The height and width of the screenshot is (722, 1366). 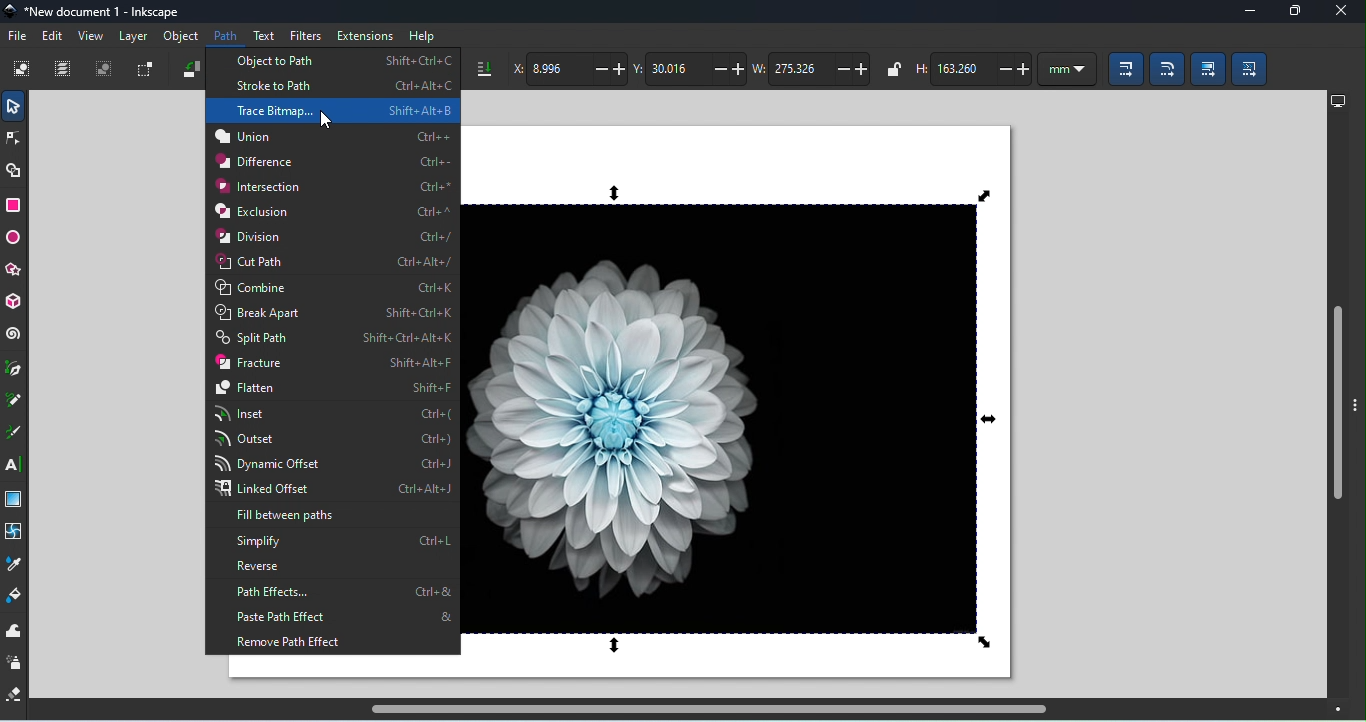 I want to click on Shape builder tool, so click(x=13, y=172).